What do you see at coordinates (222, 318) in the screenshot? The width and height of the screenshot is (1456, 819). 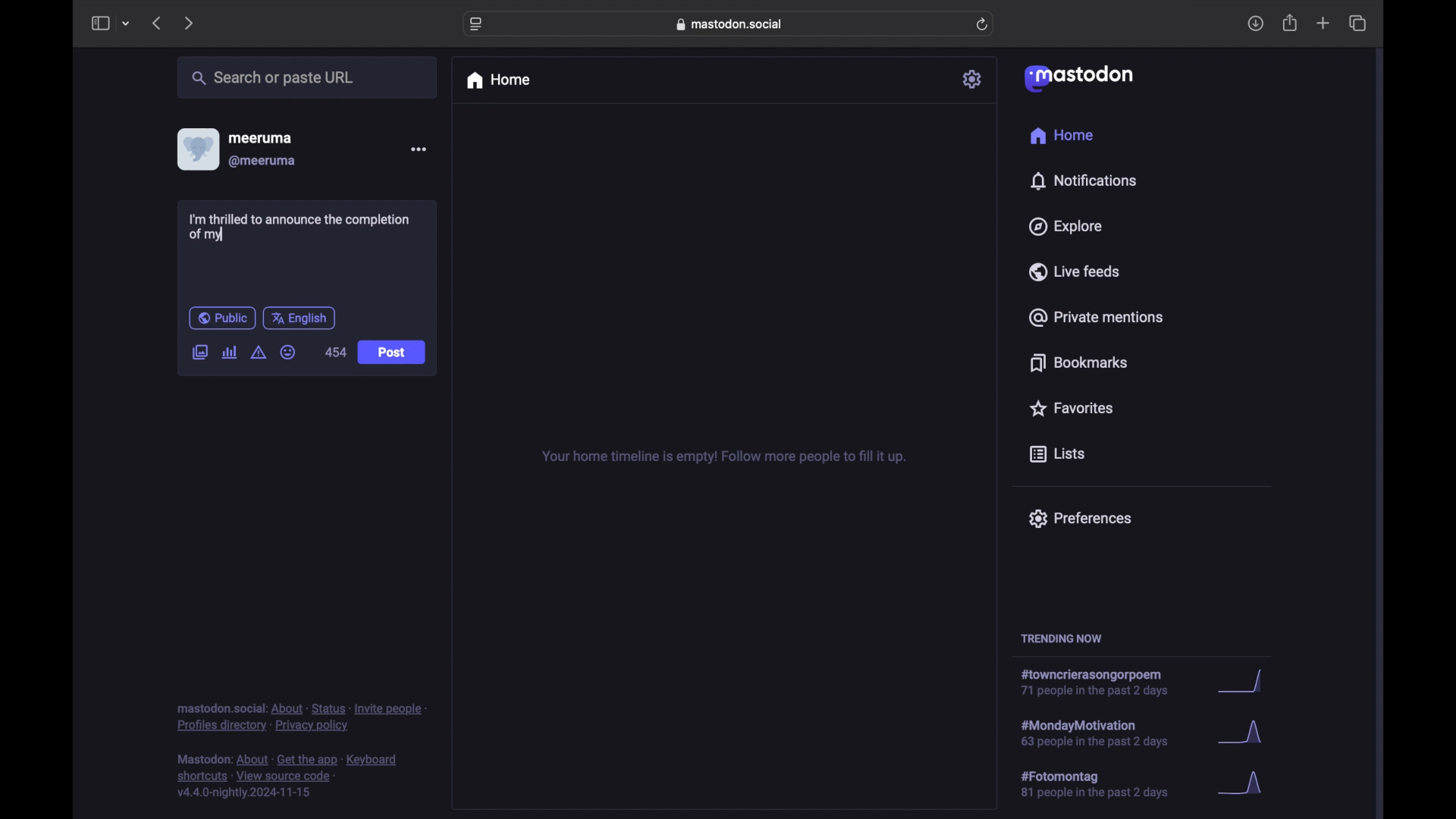 I see `public` at bounding box center [222, 318].